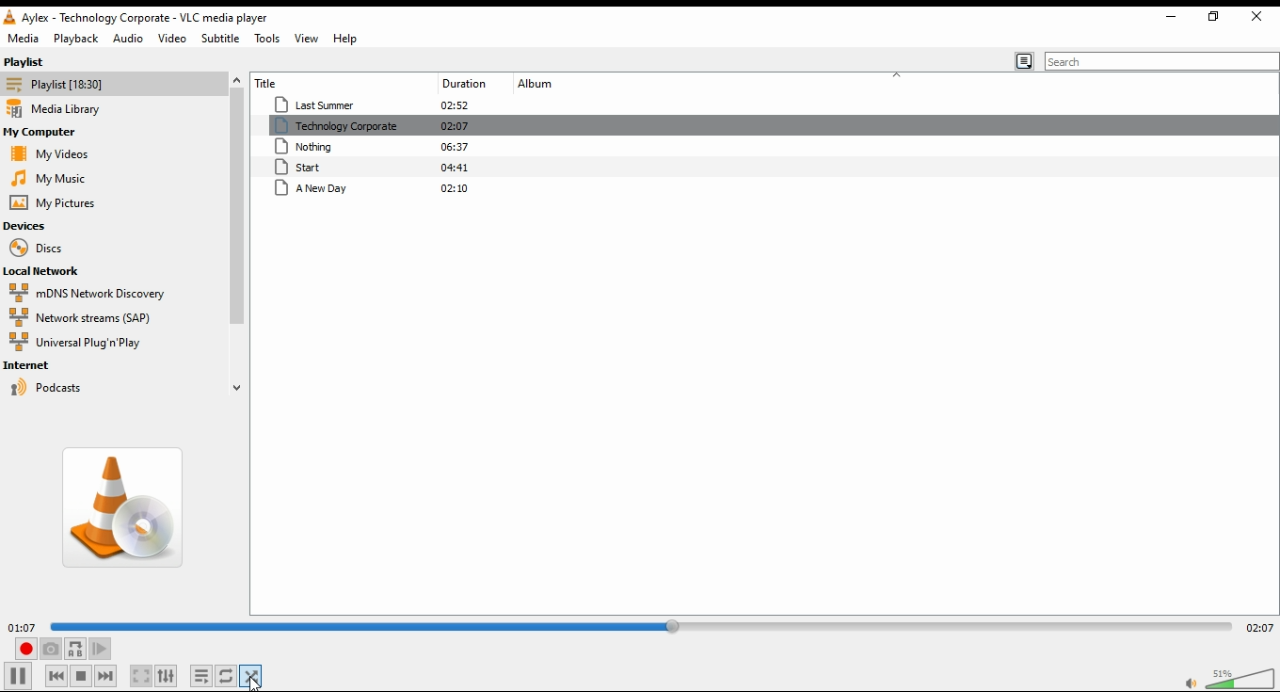 The width and height of the screenshot is (1280, 692). What do you see at coordinates (58, 203) in the screenshot?
I see `my pictures` at bounding box center [58, 203].